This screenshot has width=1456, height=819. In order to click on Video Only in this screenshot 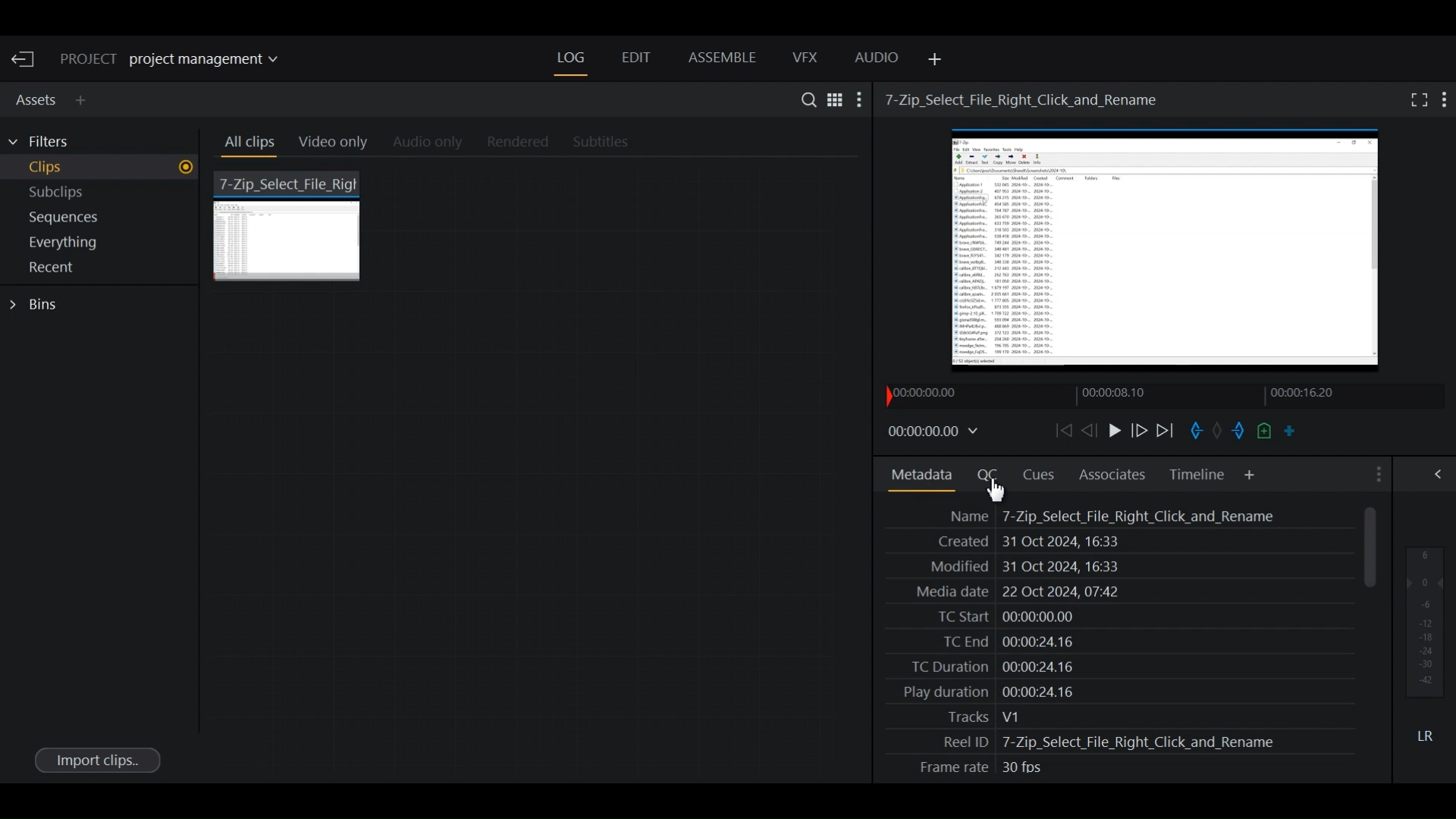, I will do `click(340, 145)`.